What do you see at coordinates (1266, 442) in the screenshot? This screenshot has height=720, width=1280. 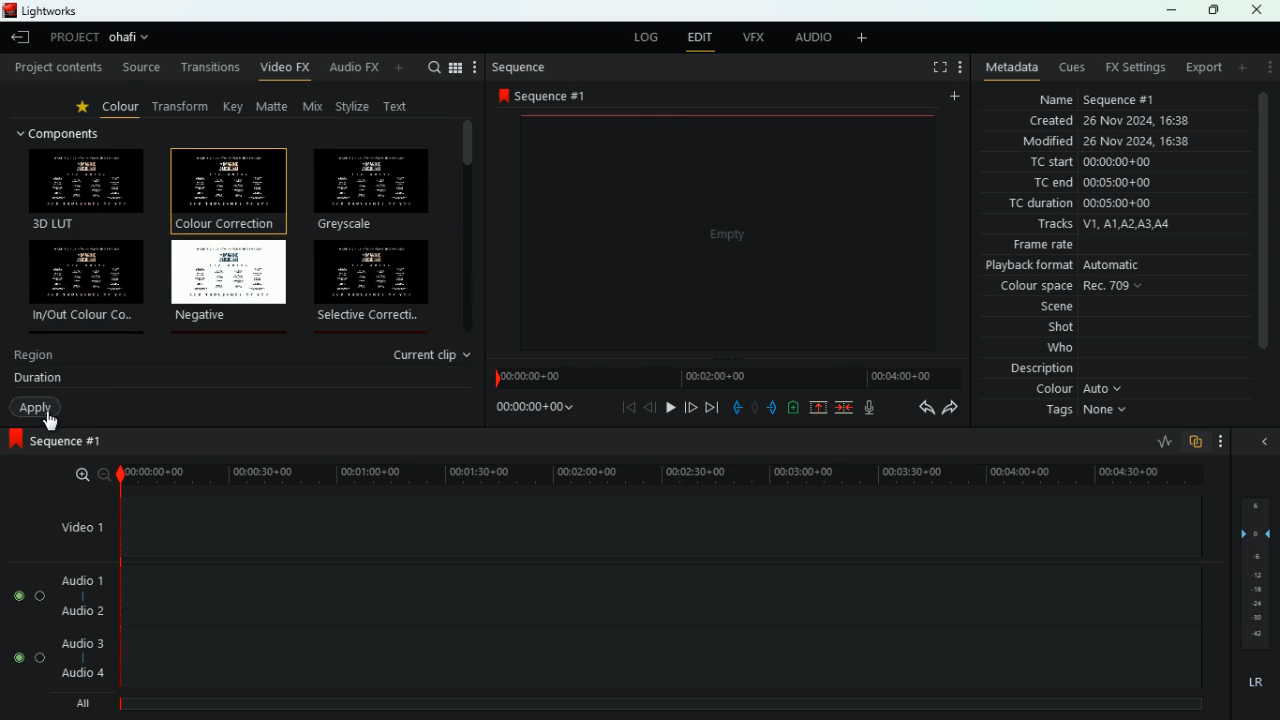 I see `opener` at bounding box center [1266, 442].